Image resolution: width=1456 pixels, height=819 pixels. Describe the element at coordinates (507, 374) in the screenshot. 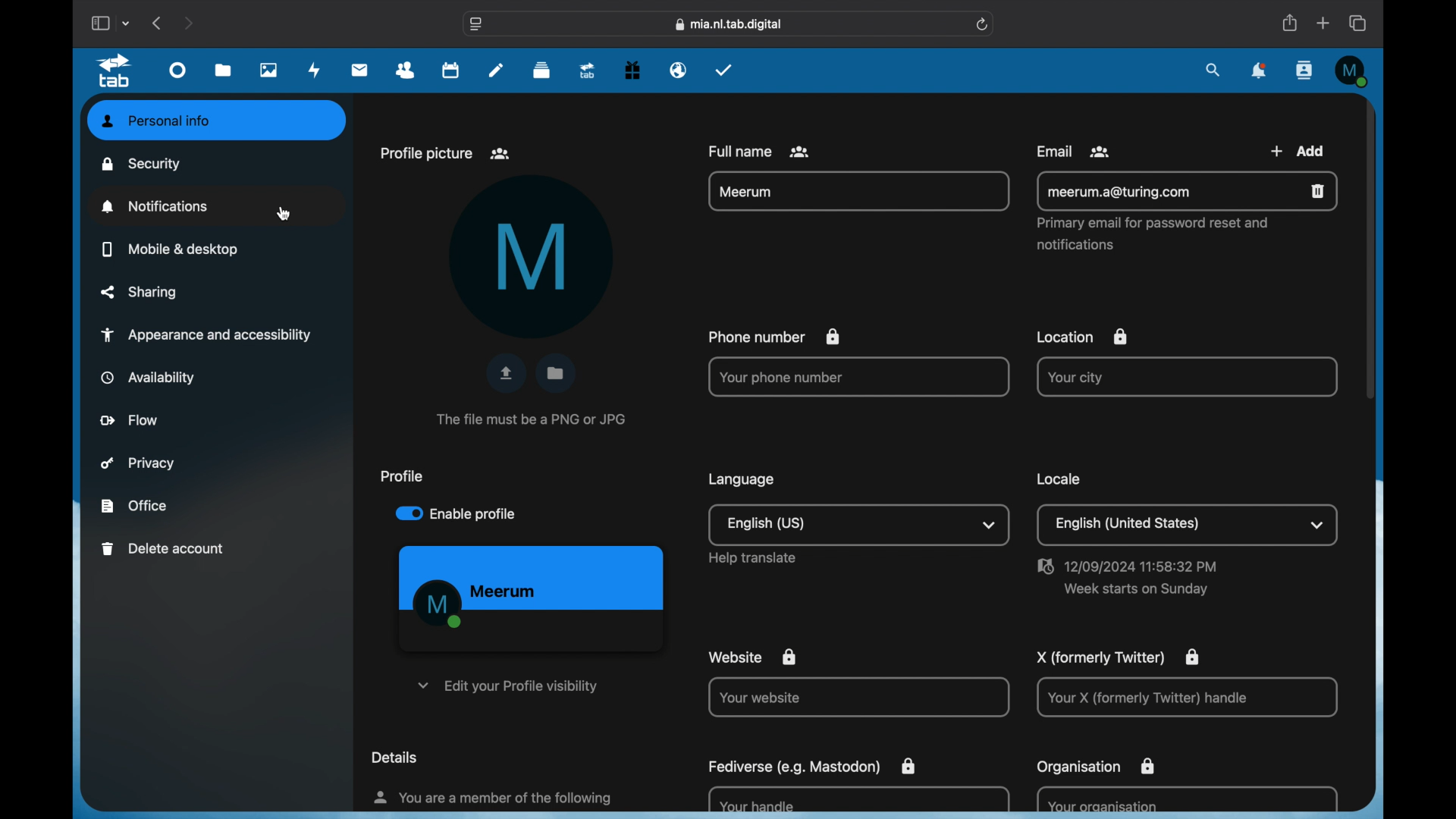

I see `upload` at that location.